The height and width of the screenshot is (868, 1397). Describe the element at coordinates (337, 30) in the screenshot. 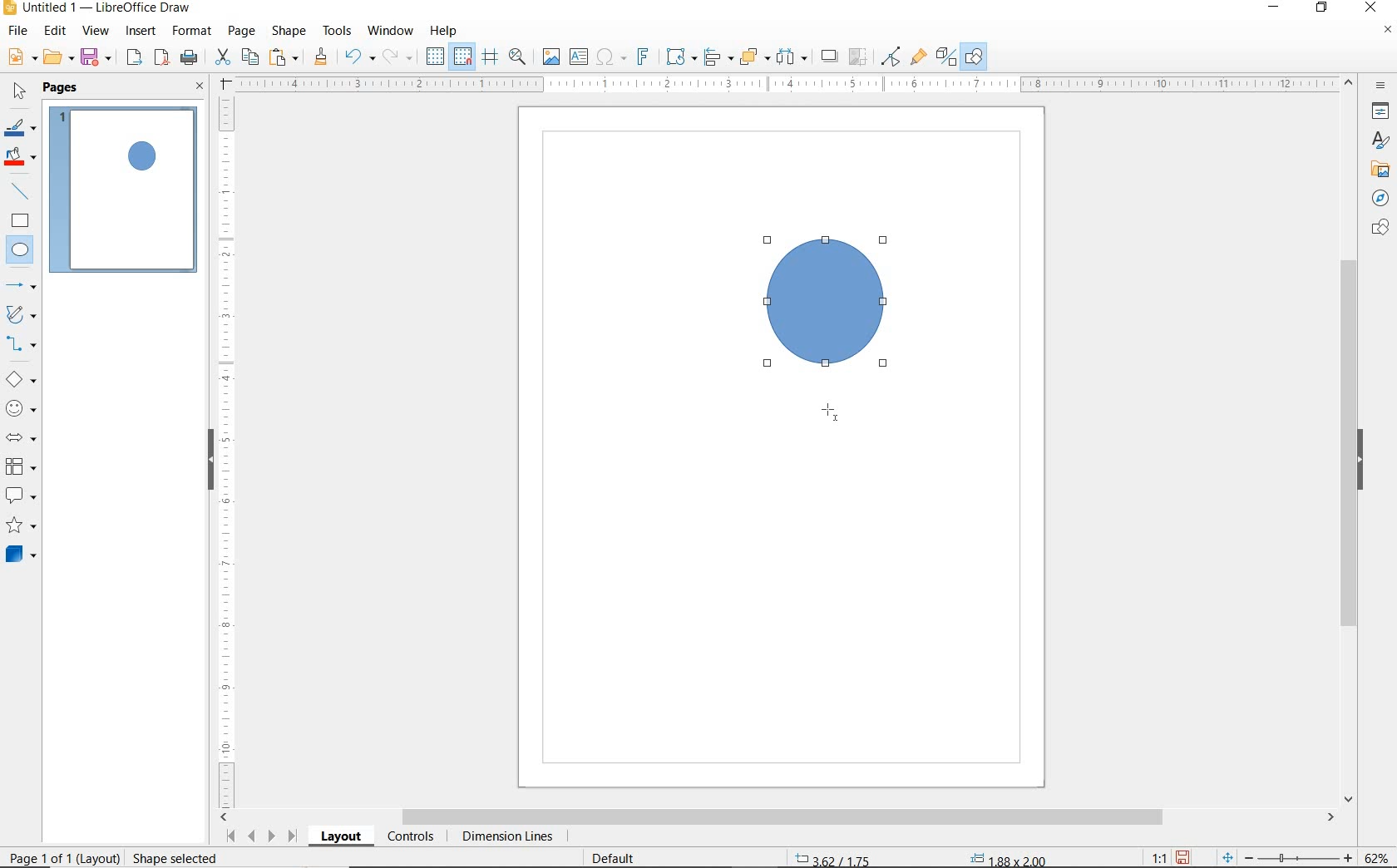

I see `TOOLS` at that location.